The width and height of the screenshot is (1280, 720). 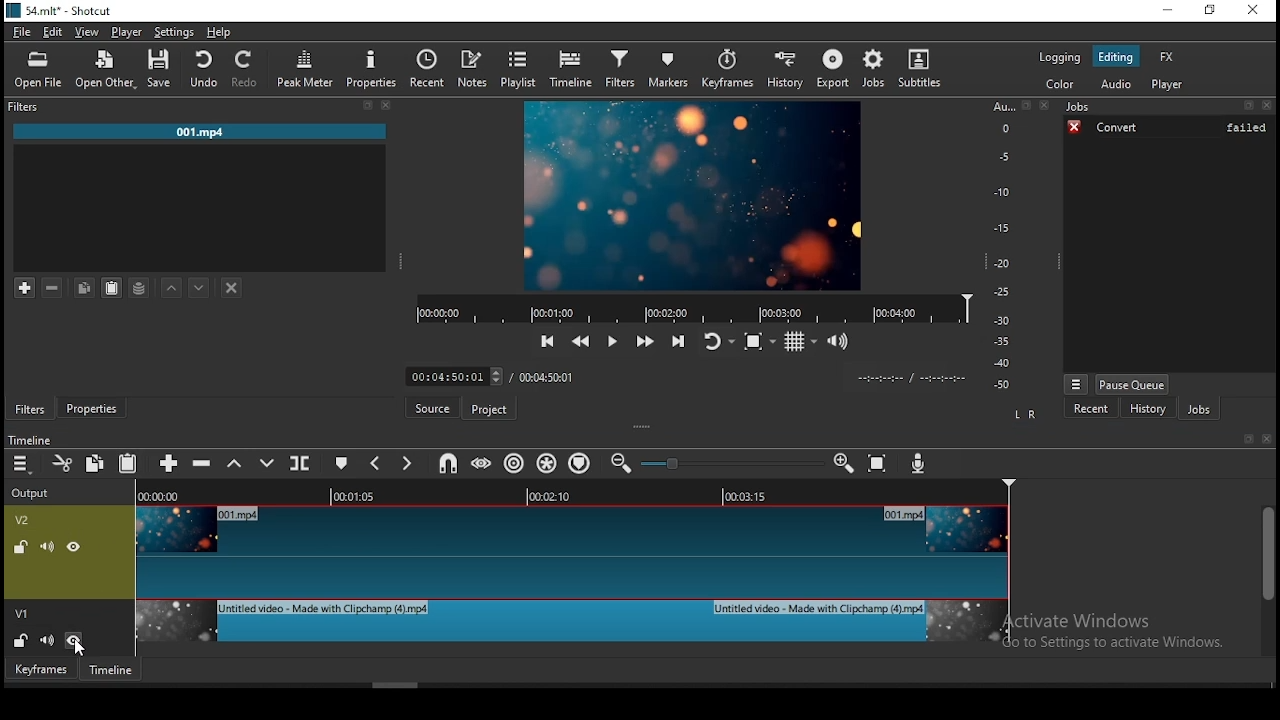 I want to click on editing, so click(x=1116, y=56).